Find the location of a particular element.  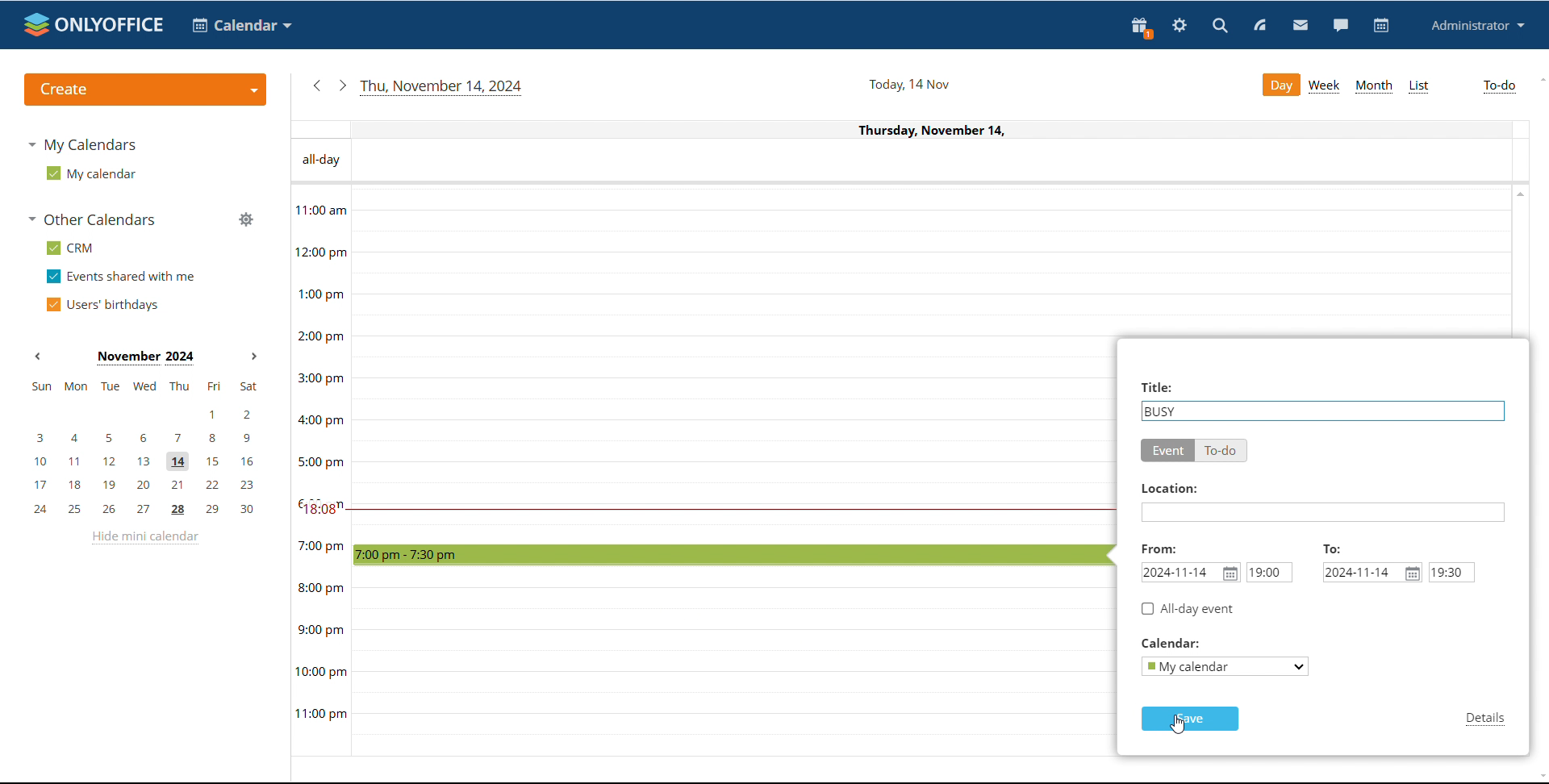

week view is located at coordinates (1325, 85).